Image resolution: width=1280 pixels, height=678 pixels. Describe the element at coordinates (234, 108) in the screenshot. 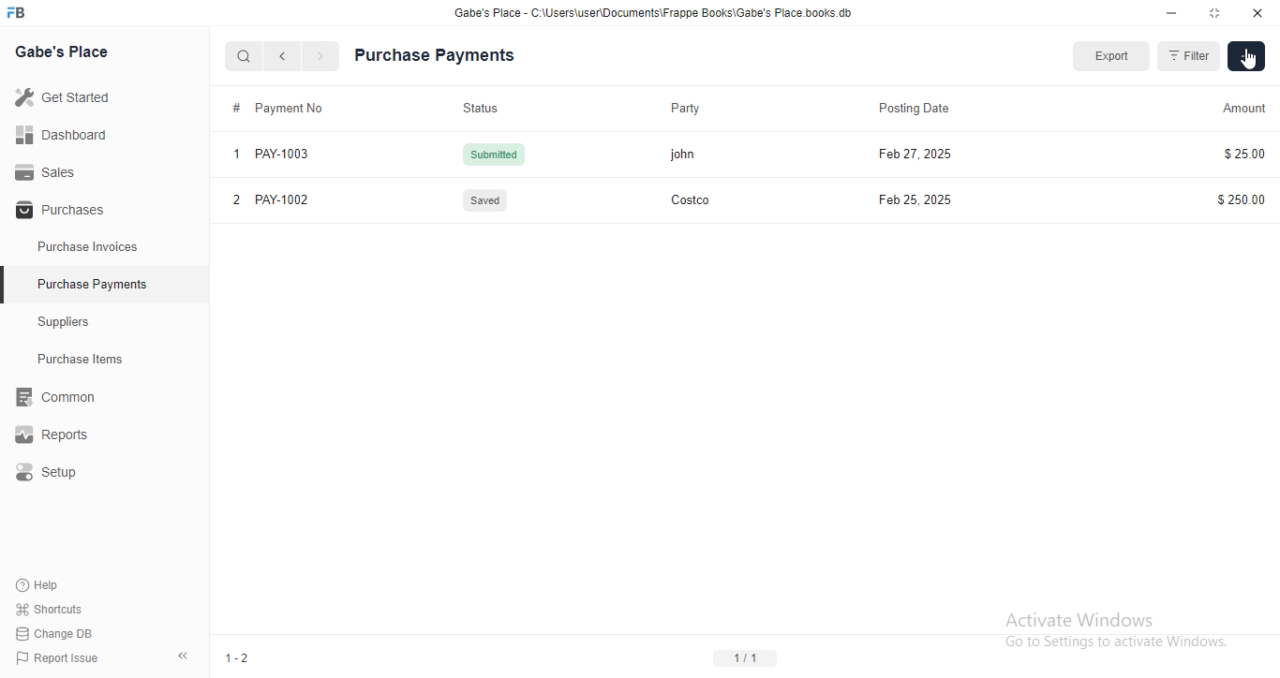

I see `` at that location.